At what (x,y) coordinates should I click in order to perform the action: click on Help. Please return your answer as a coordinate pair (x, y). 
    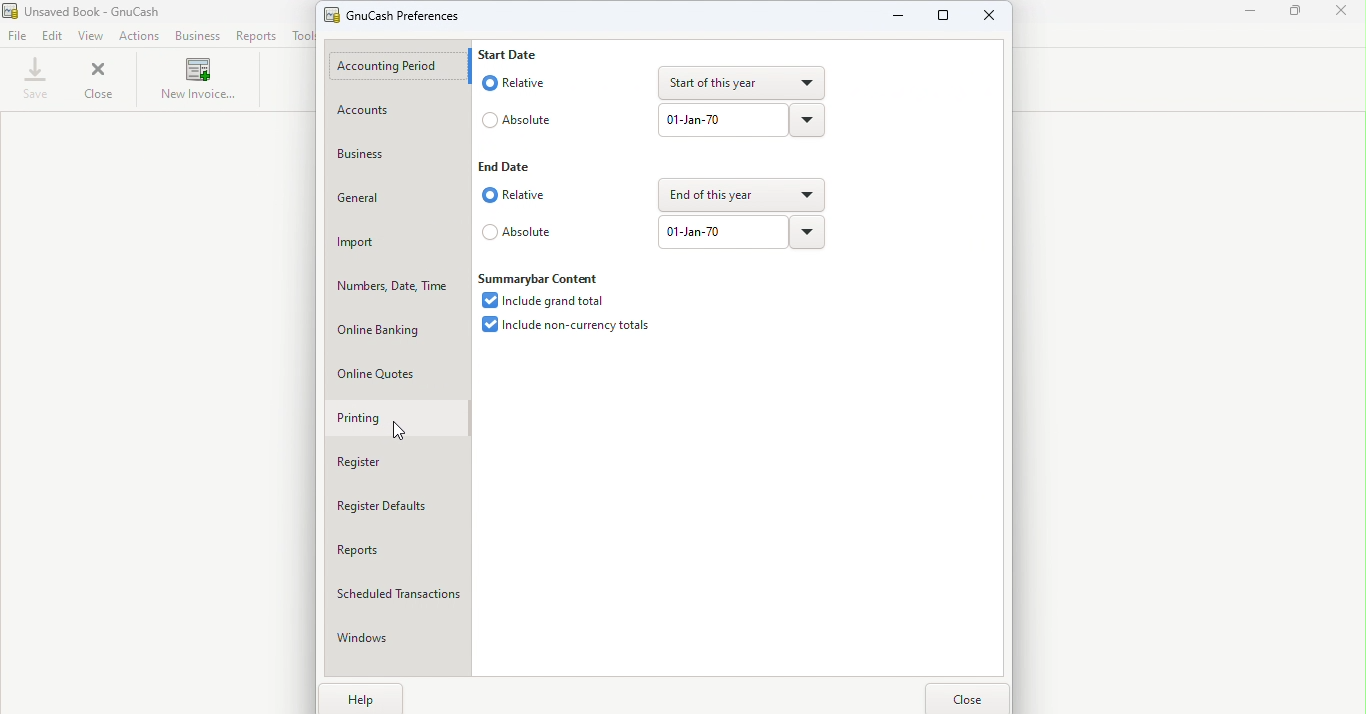
    Looking at the image, I should click on (361, 698).